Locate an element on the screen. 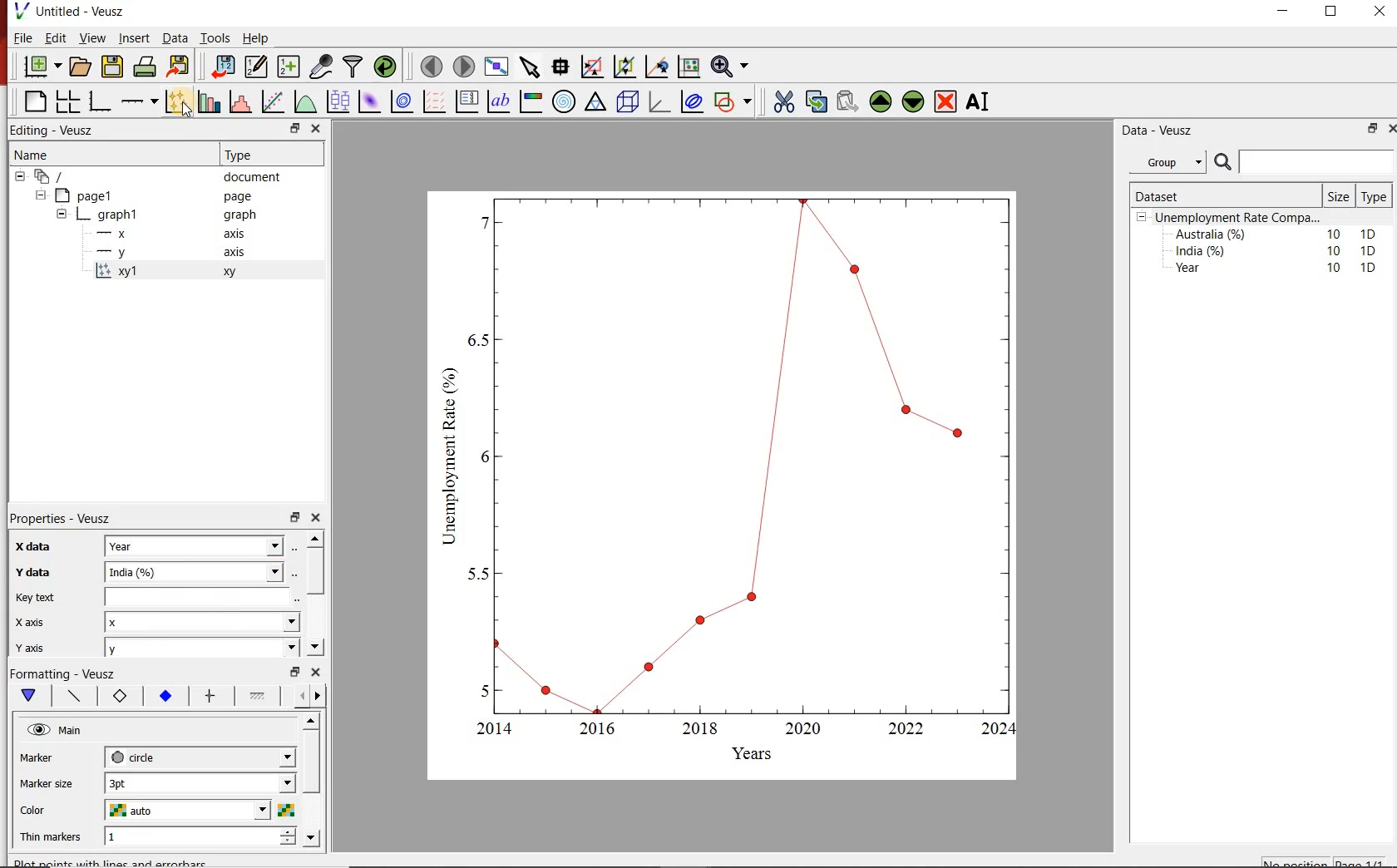 This screenshot has width=1397, height=868. print document is located at coordinates (145, 65).